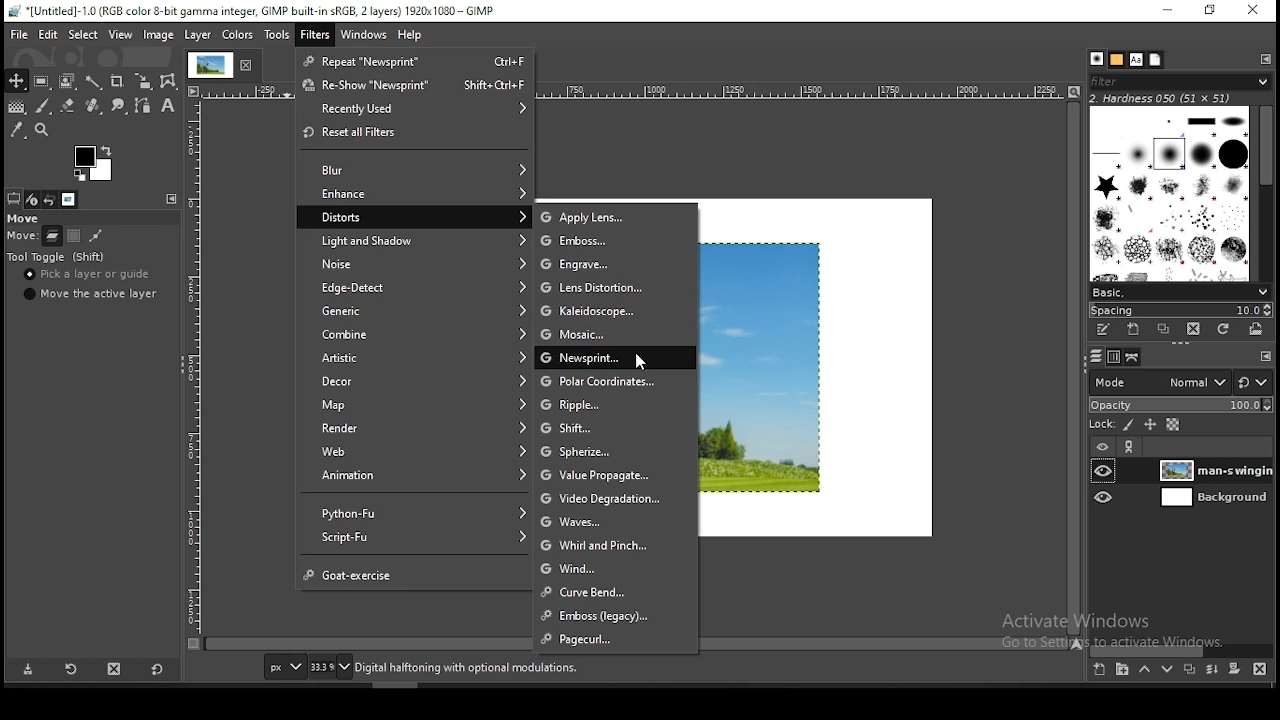 The image size is (1280, 720). I want to click on tool toggle, so click(60, 257).